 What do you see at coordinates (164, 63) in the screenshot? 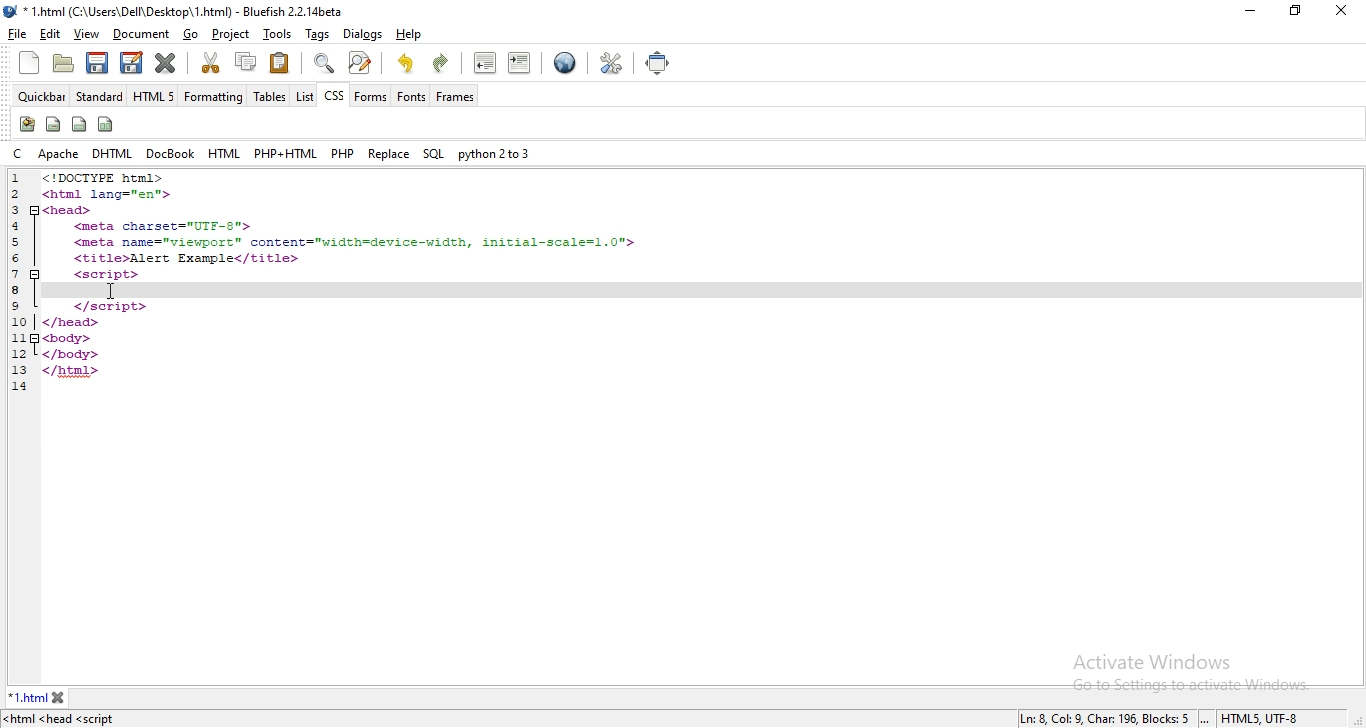
I see `close` at bounding box center [164, 63].